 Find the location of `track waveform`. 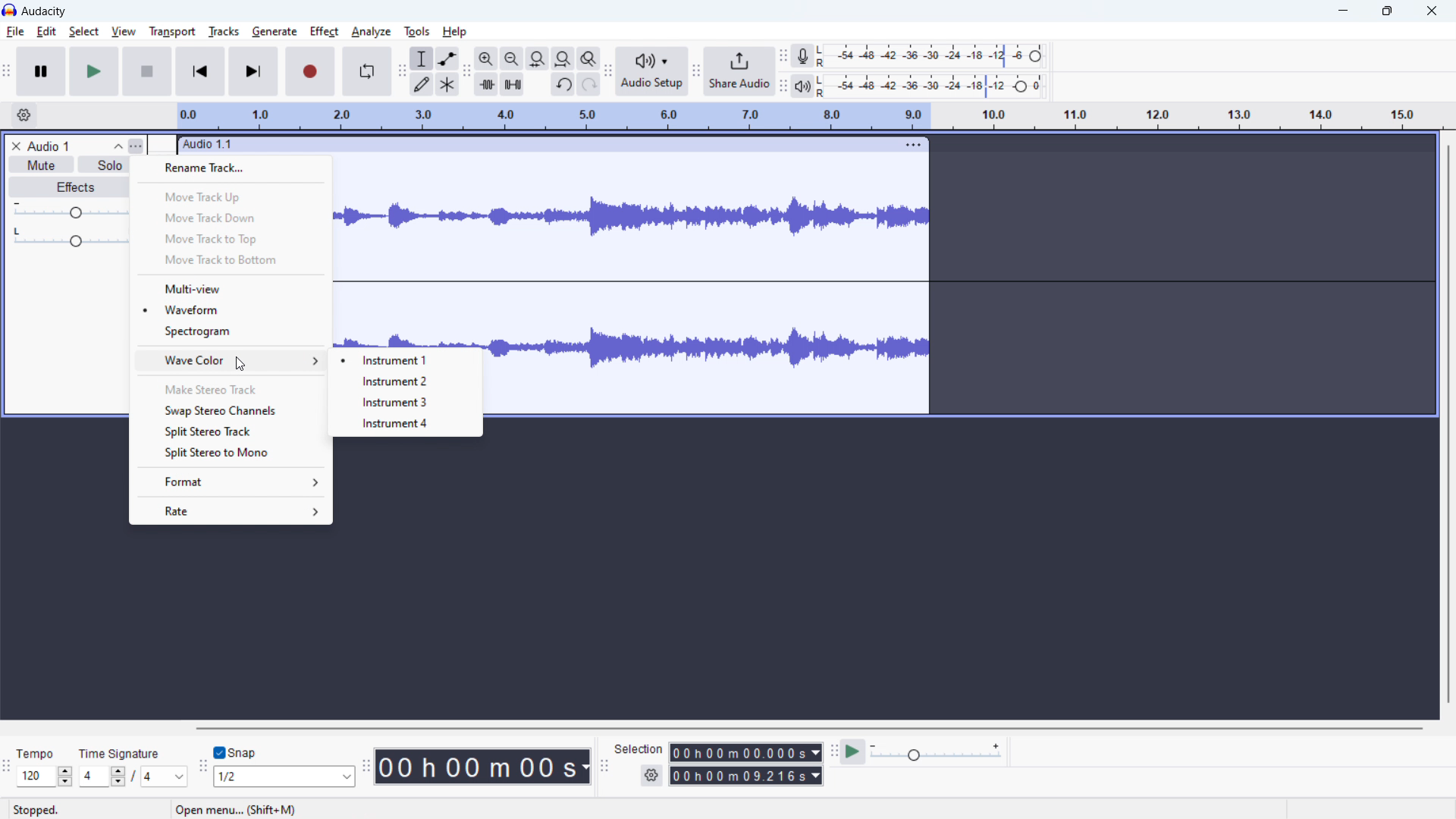

track waveform is located at coordinates (631, 269).